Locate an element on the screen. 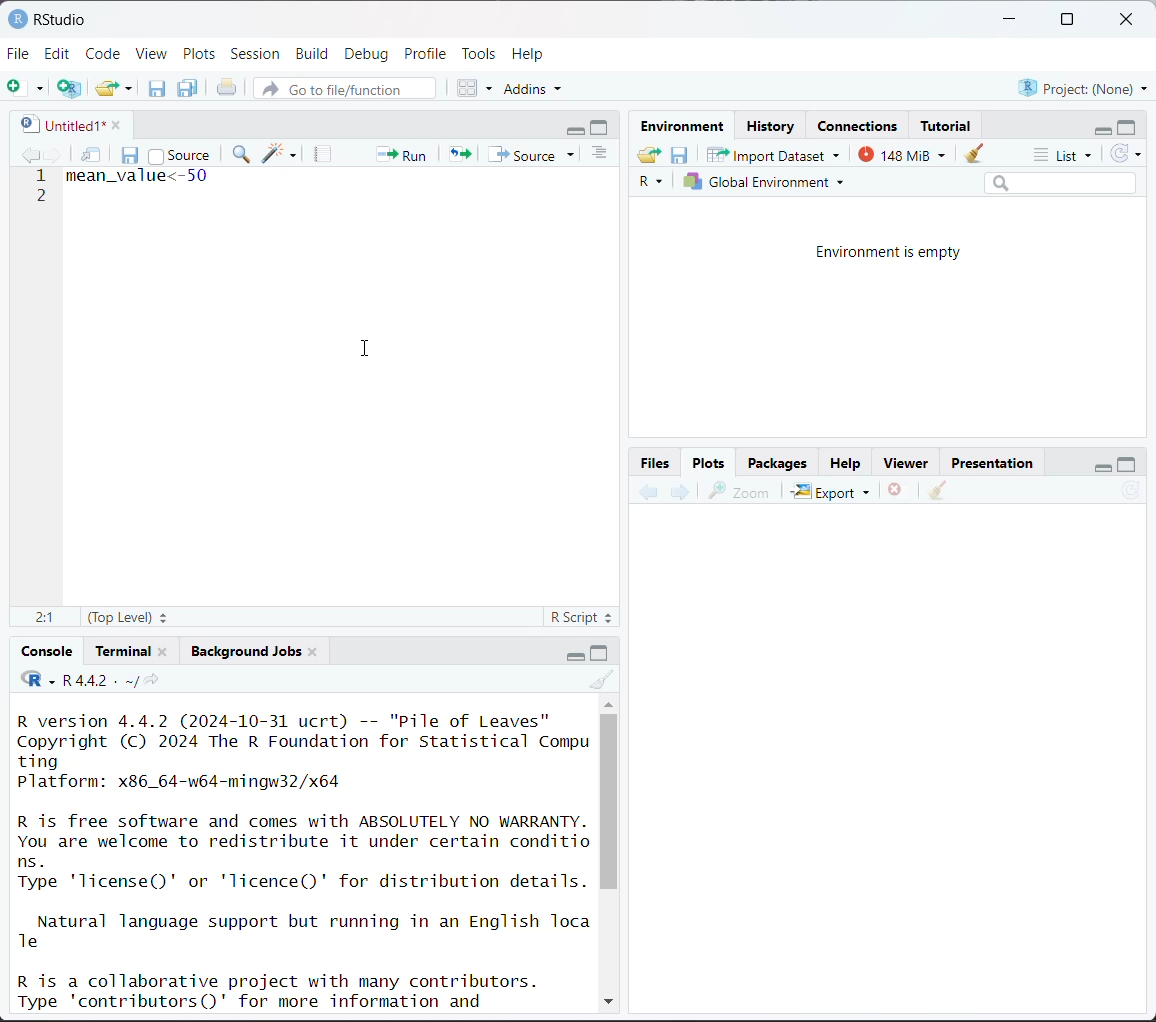  Environment is located at coordinates (686, 127).